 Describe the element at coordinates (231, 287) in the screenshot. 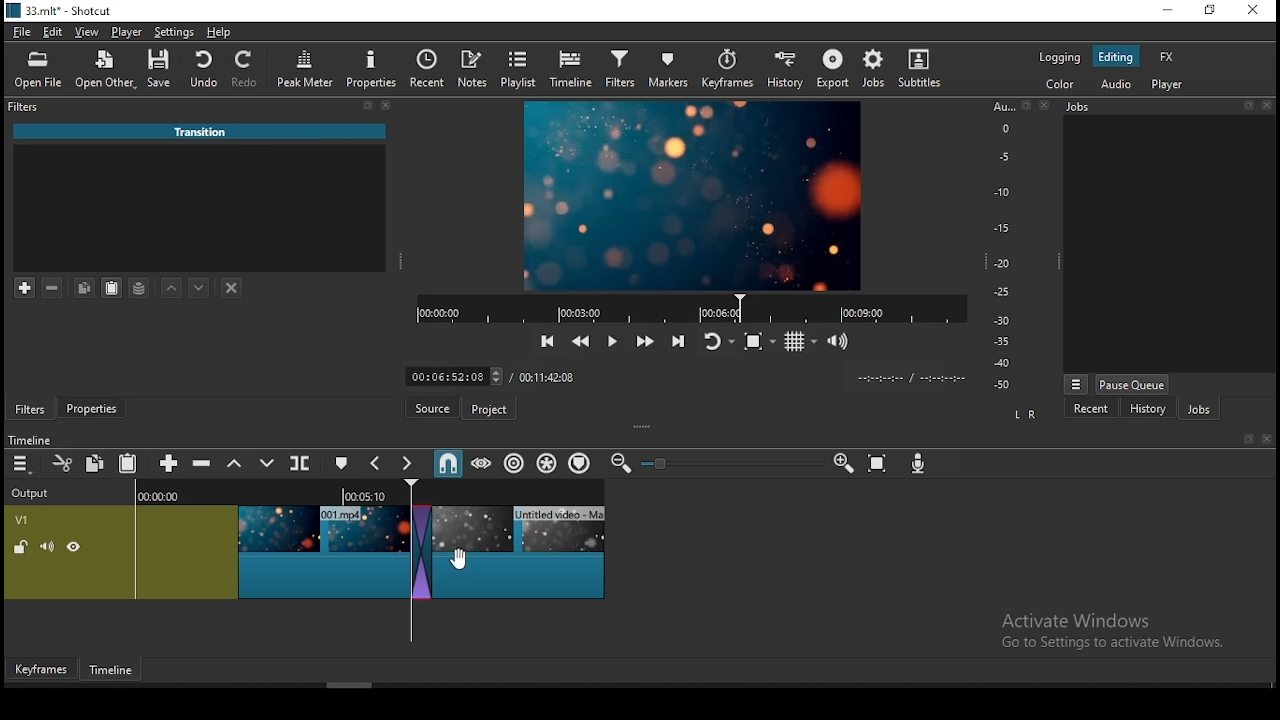

I see `deselct filter` at that location.